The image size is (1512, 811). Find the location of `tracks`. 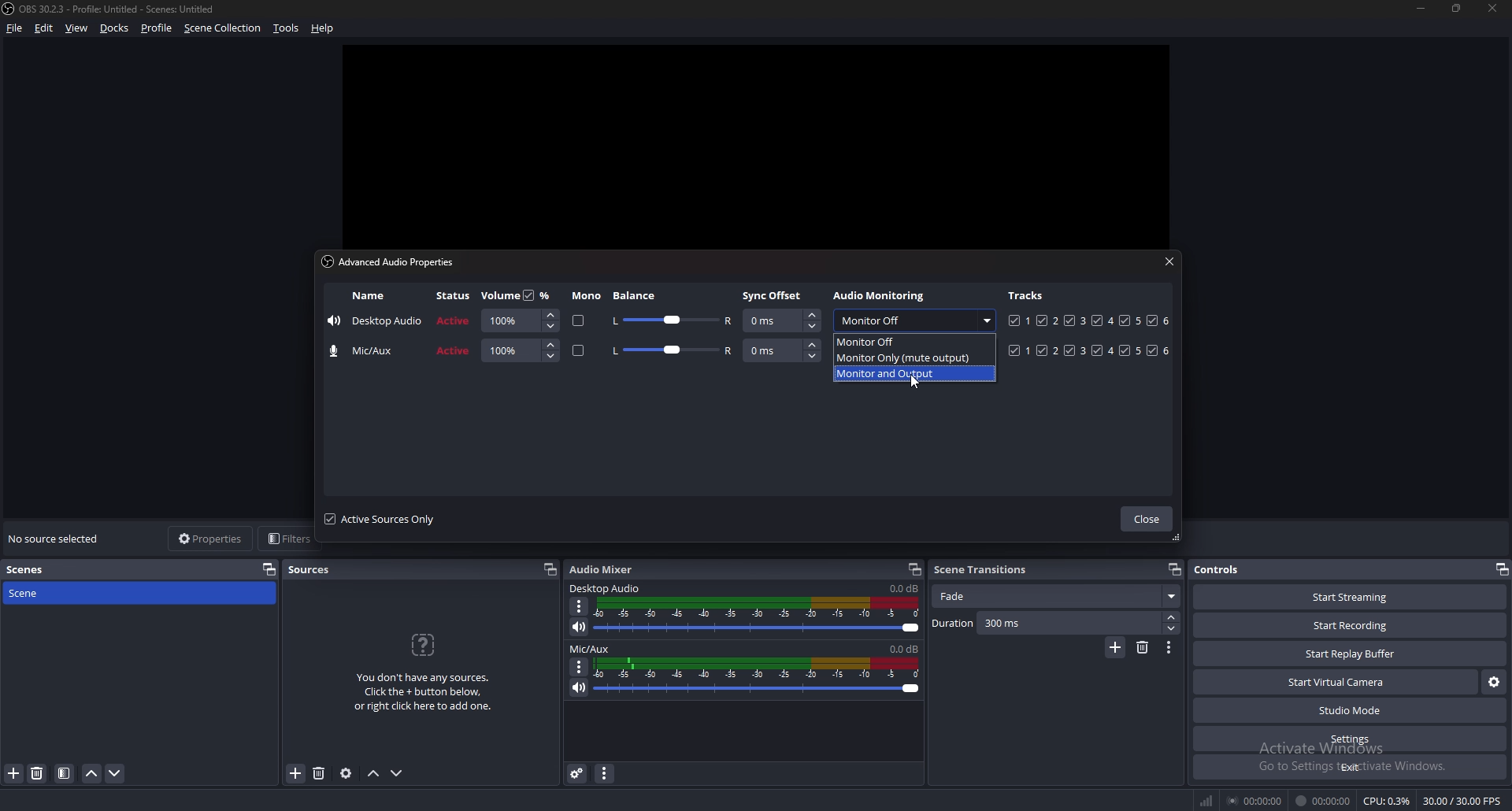

tracks is located at coordinates (1091, 320).